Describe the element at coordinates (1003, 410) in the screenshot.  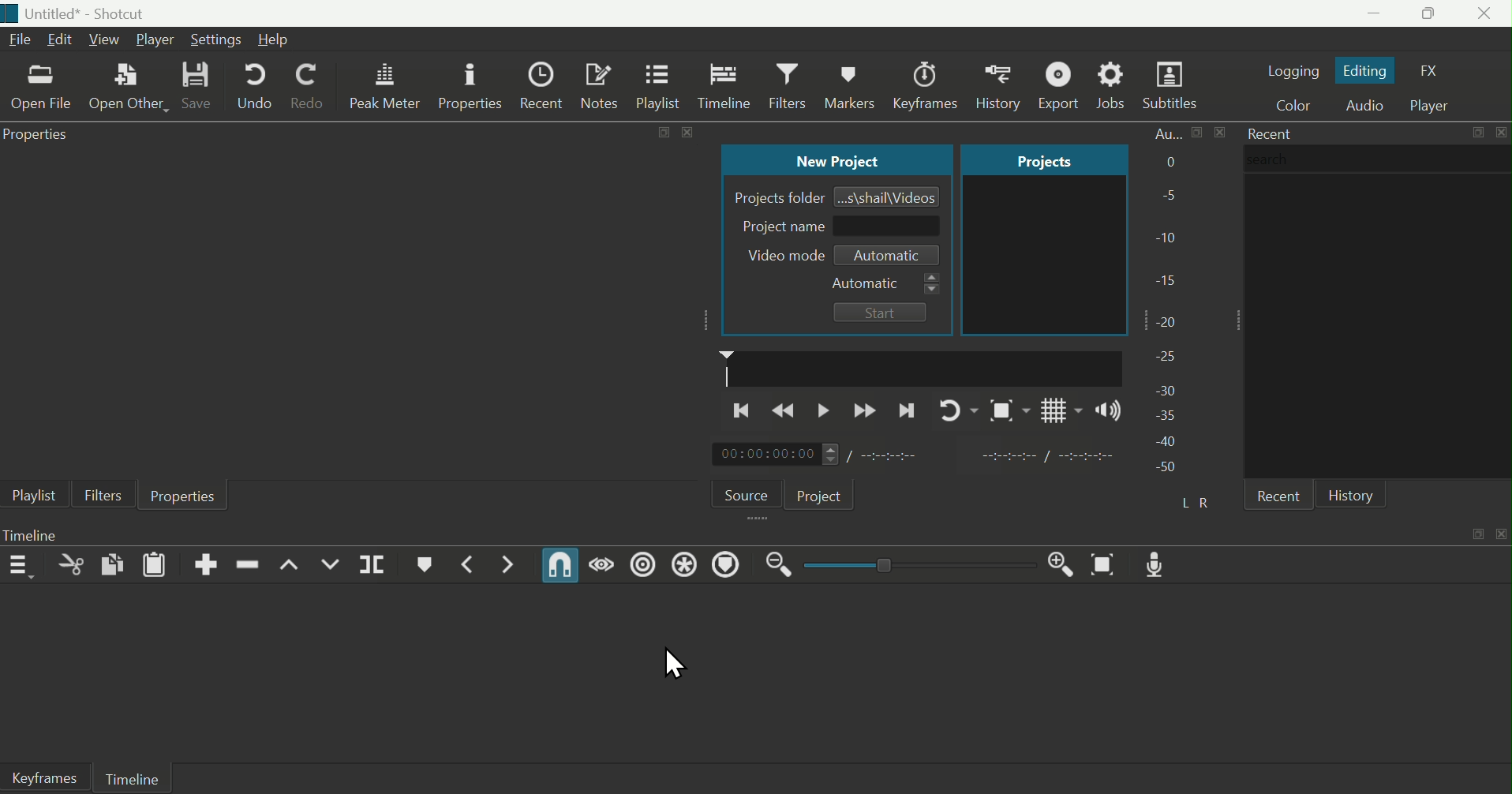
I see `Toggle zoom` at that location.